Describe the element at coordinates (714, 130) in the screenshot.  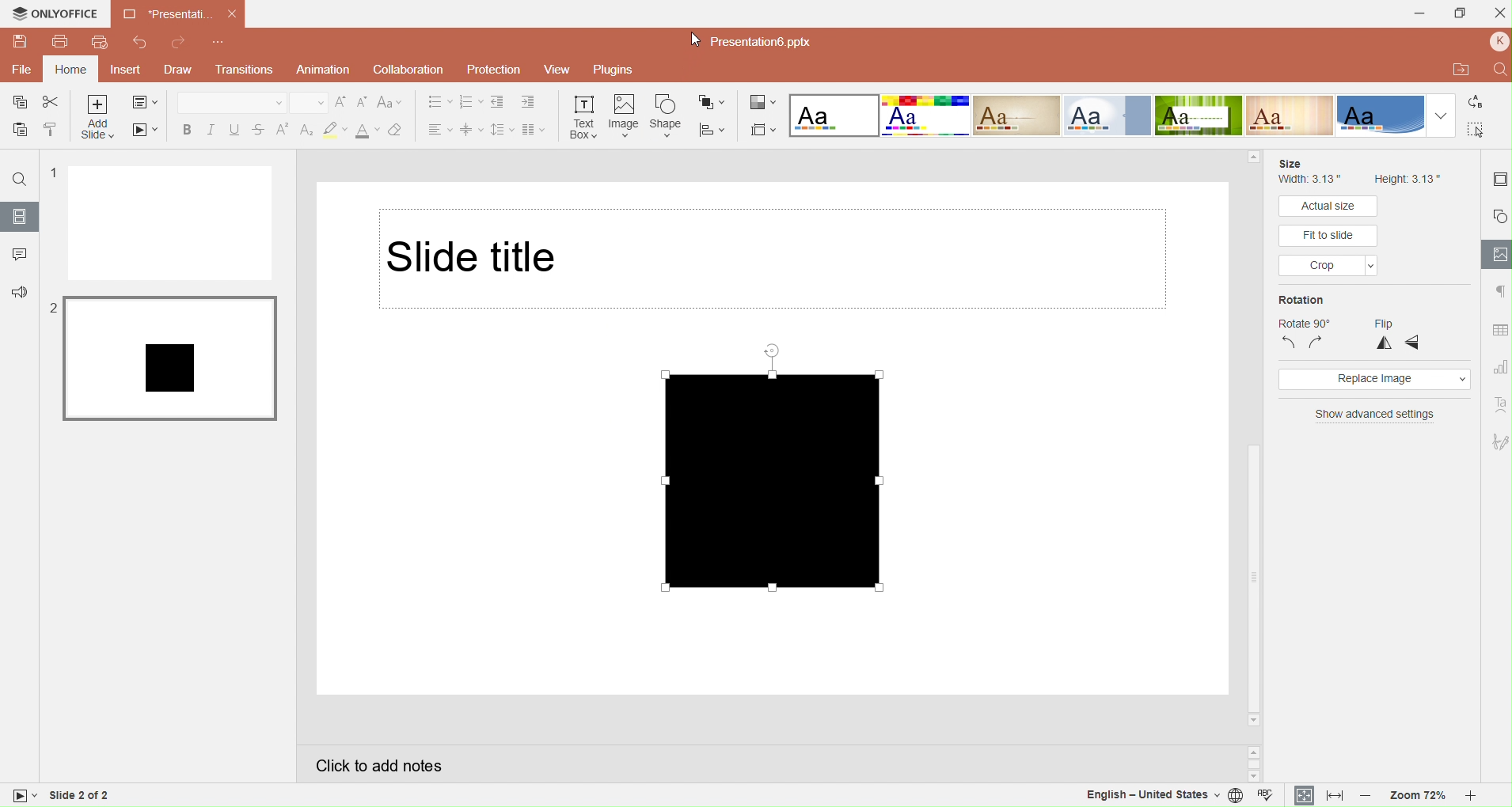
I see `Align shape` at that location.